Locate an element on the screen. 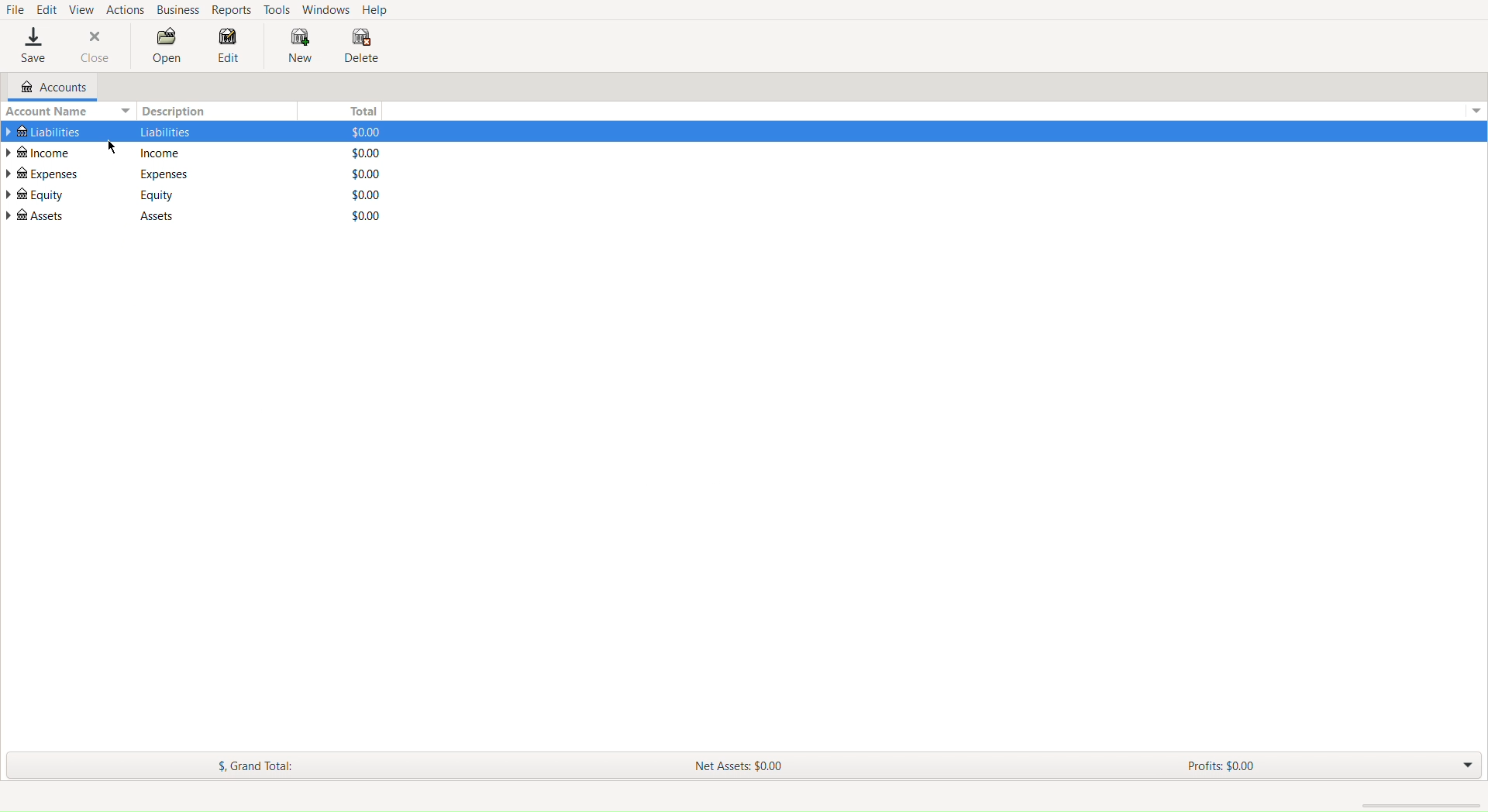 The width and height of the screenshot is (1488, 812). Edit is located at coordinates (232, 47).